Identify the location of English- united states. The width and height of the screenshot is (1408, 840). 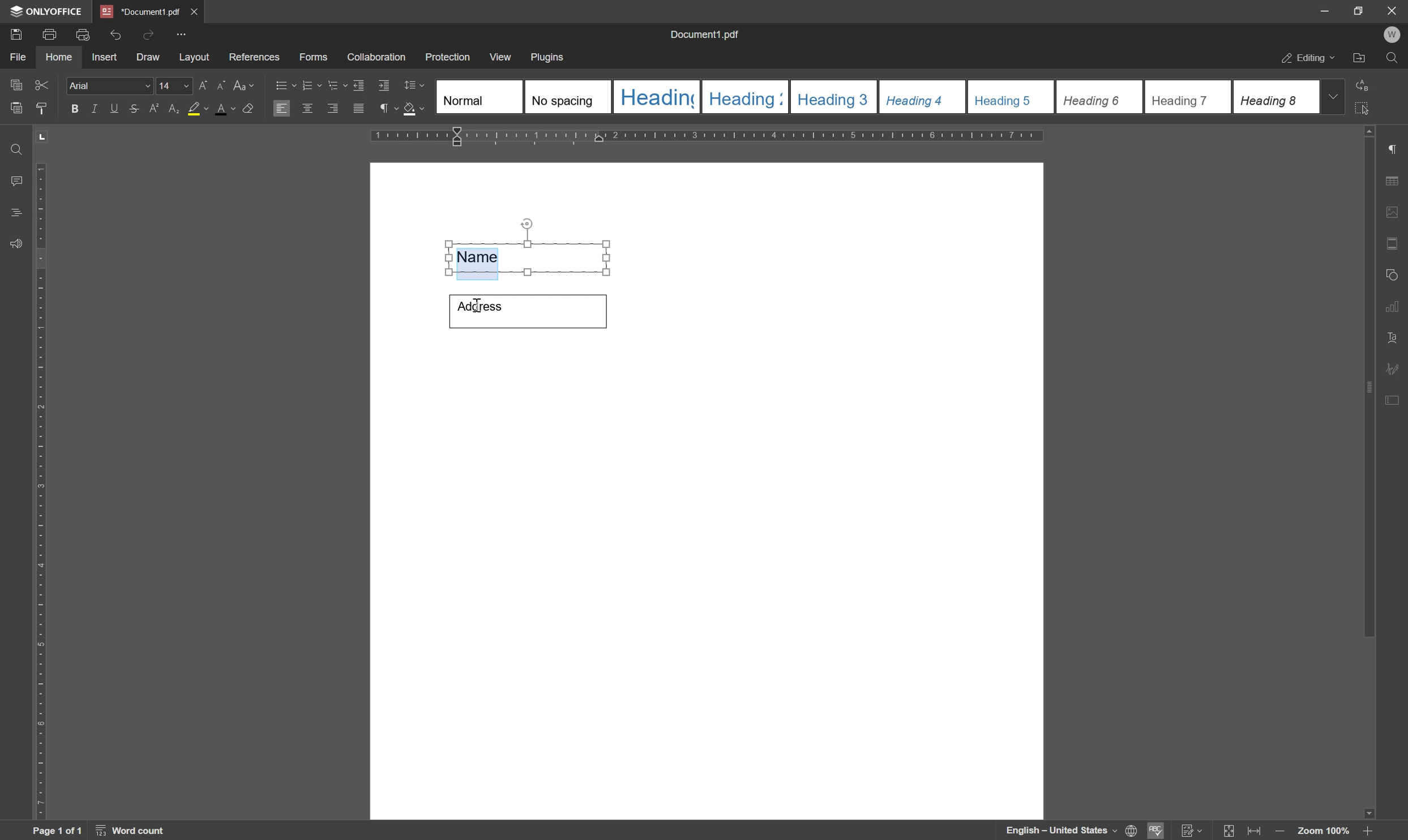
(1072, 831).